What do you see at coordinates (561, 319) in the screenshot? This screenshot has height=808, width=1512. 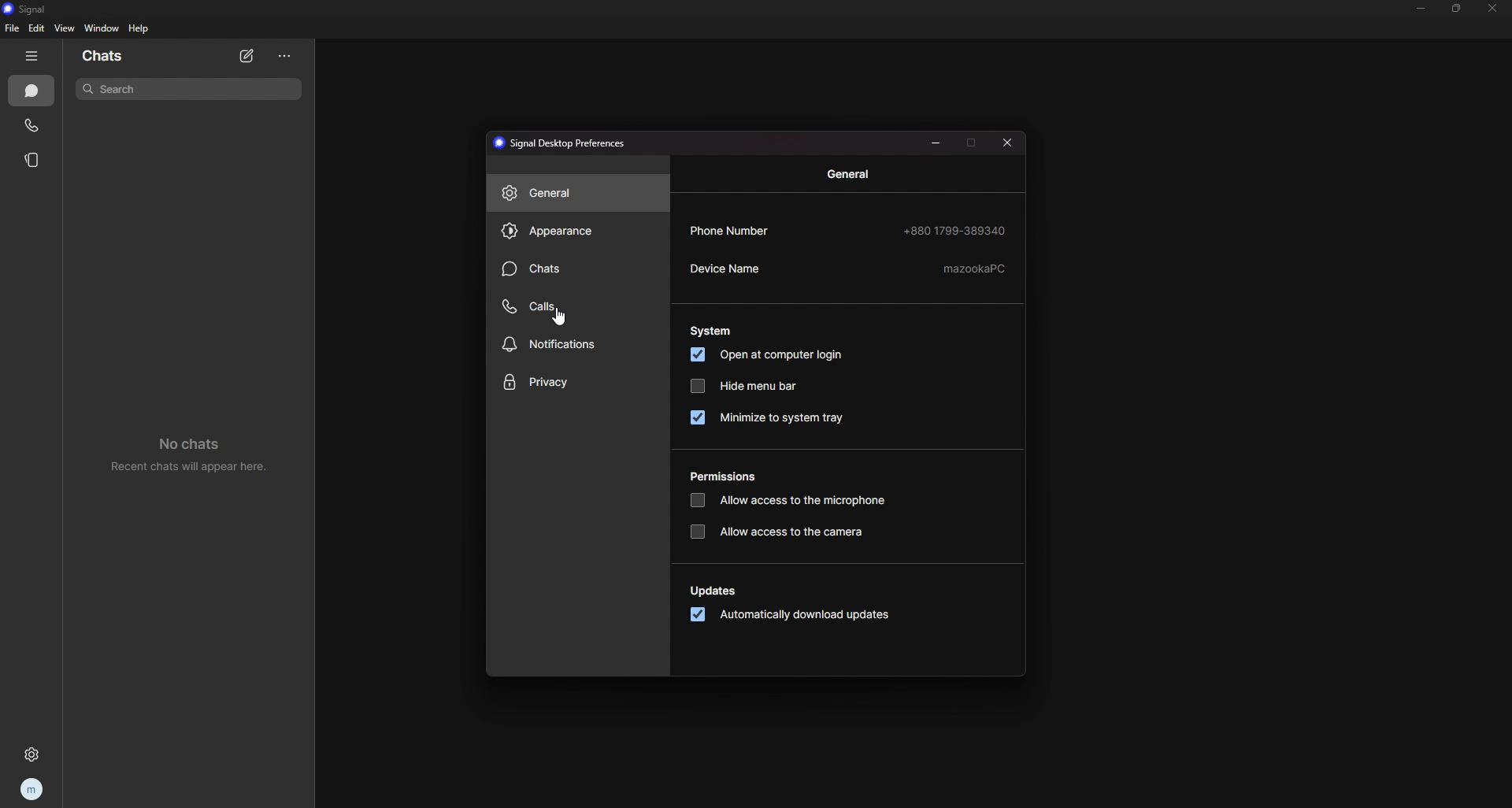 I see `cursor` at bounding box center [561, 319].